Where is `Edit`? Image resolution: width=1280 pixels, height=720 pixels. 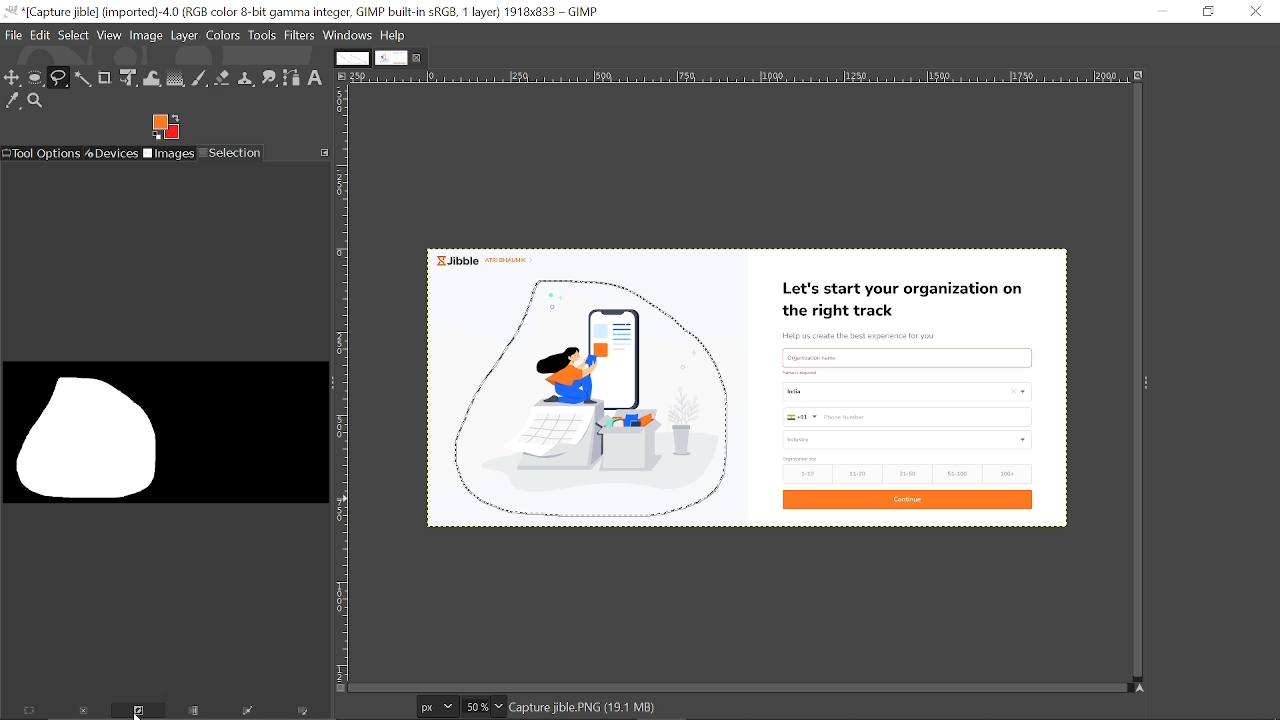
Edit is located at coordinates (42, 33).